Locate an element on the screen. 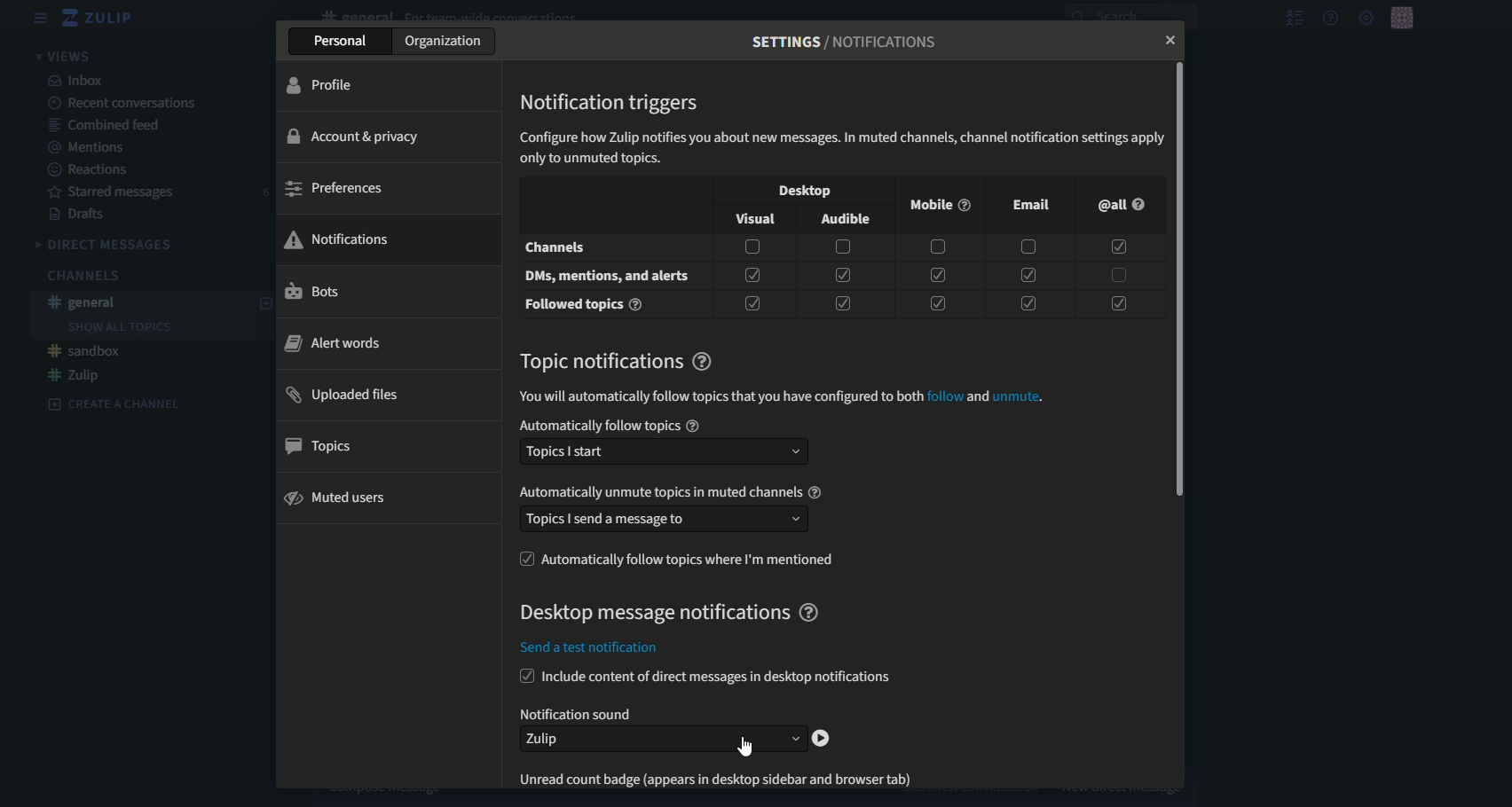 This screenshot has width=1512, height=807. text is located at coordinates (611, 102).